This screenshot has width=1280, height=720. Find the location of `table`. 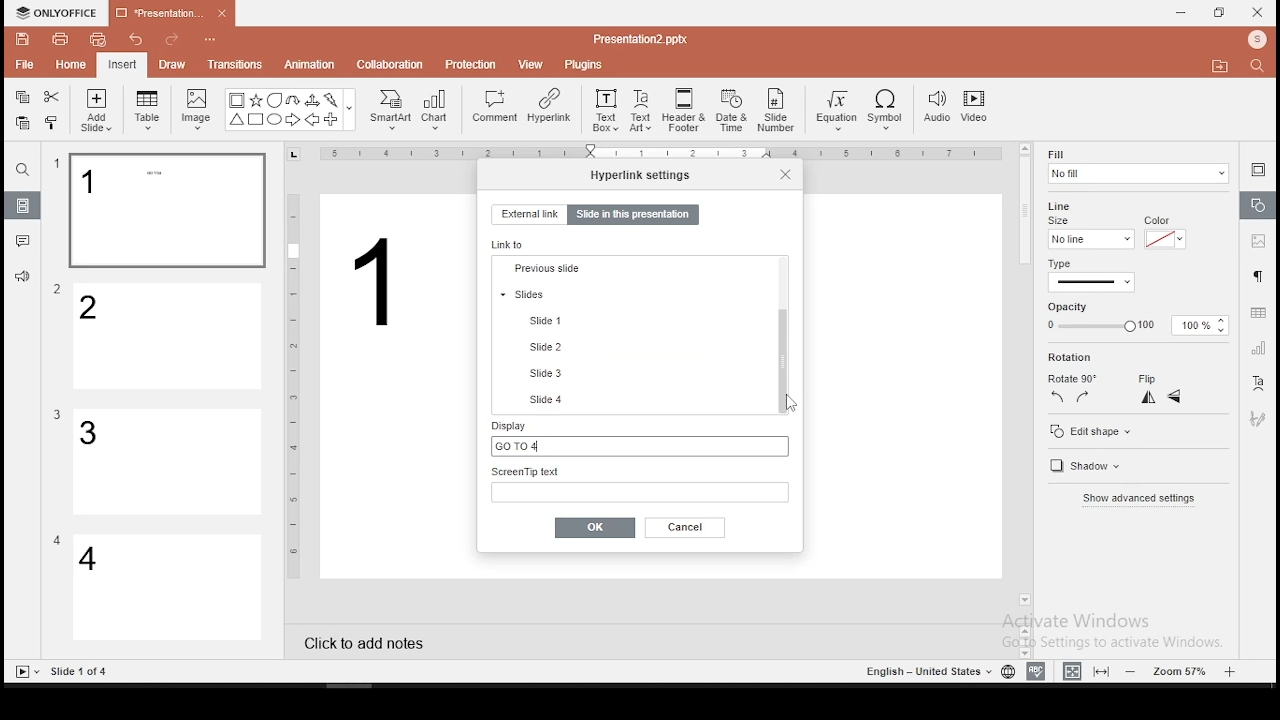

table is located at coordinates (147, 107).